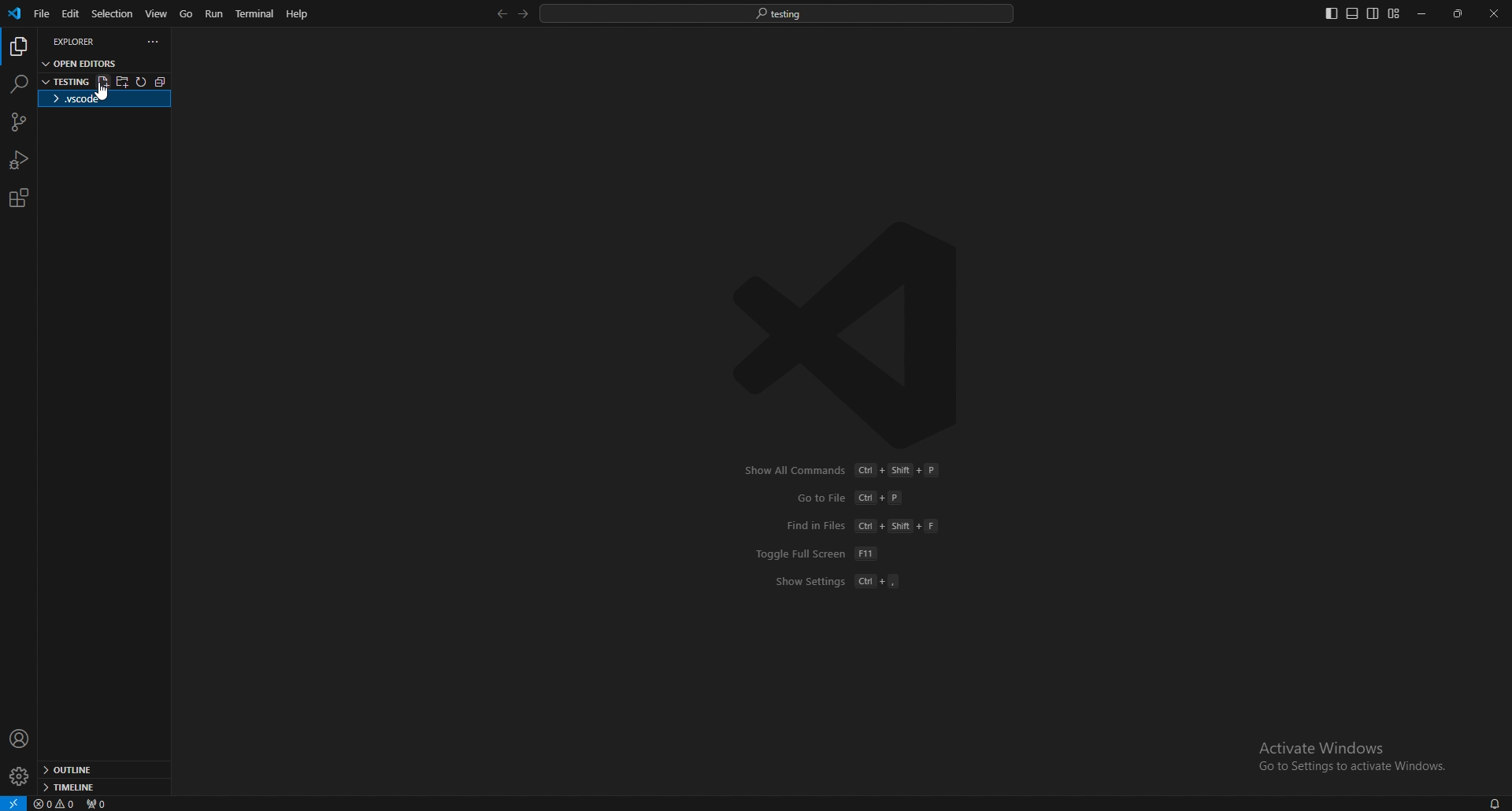 The height and width of the screenshot is (811, 1512). What do you see at coordinates (143, 82) in the screenshot?
I see `refresh` at bounding box center [143, 82].